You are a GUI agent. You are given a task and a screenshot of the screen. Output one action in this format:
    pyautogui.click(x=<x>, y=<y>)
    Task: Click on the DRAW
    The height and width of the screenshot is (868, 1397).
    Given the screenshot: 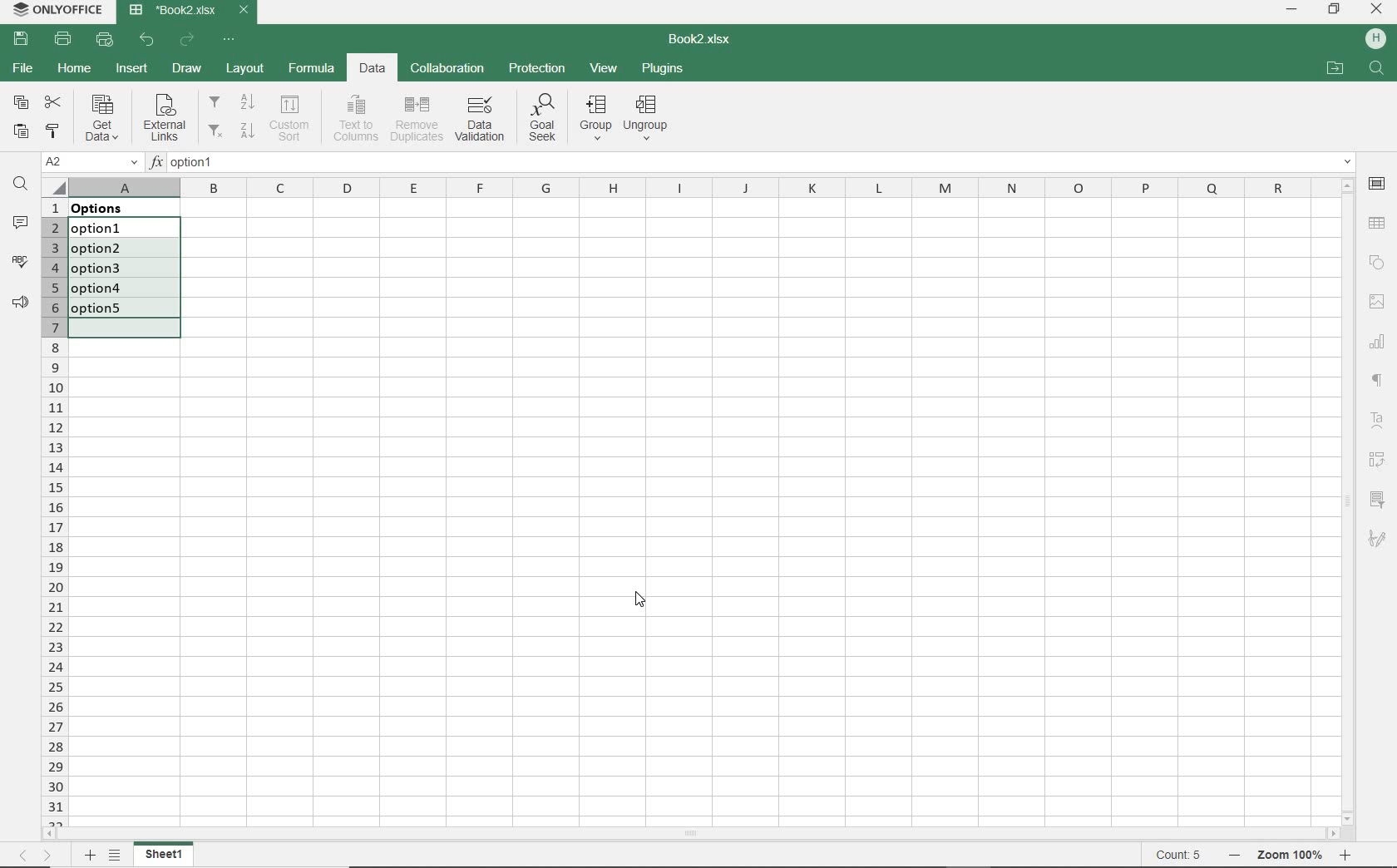 What is the action you would take?
    pyautogui.click(x=187, y=68)
    